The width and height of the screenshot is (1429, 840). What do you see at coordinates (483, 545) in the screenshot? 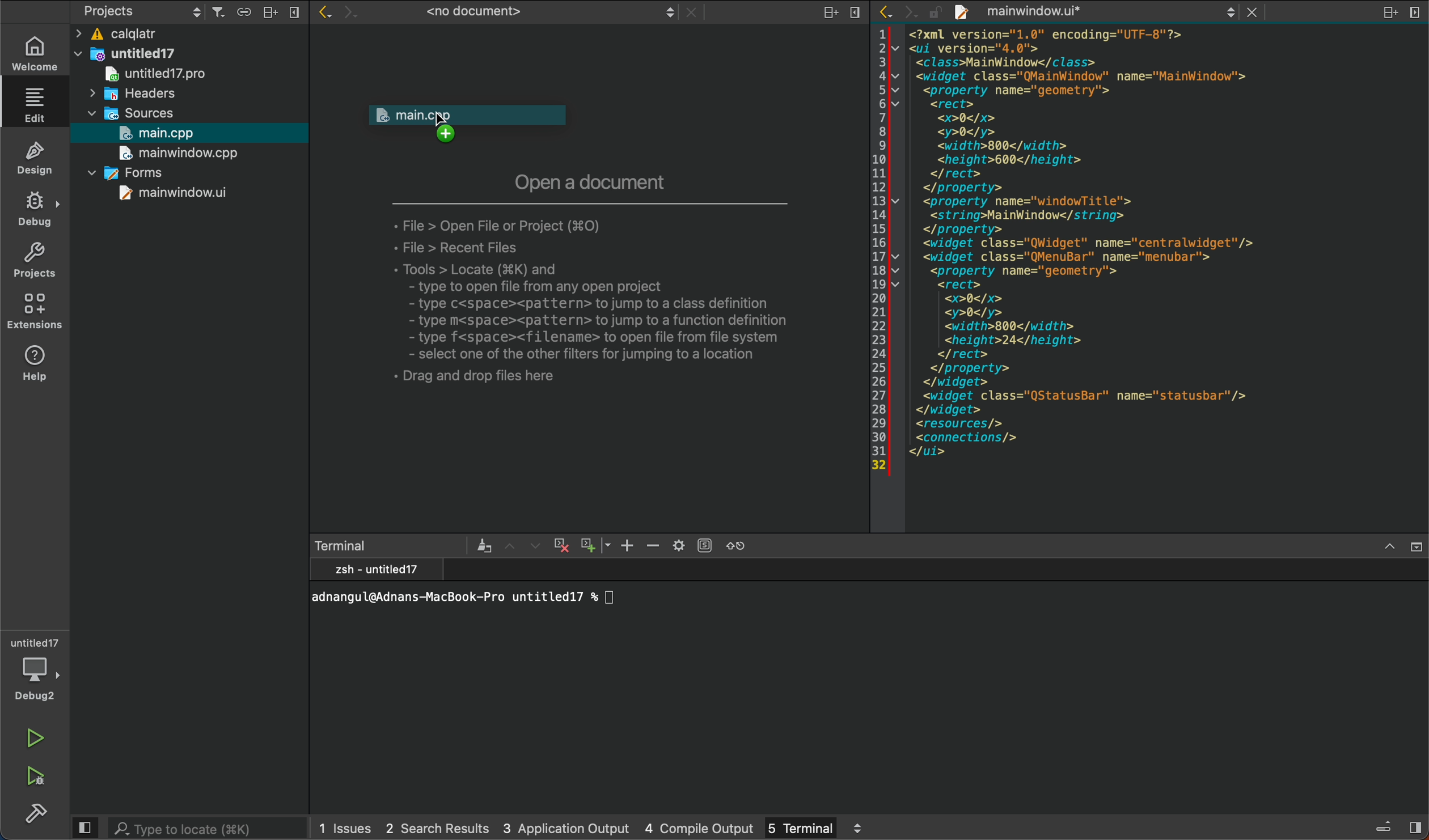
I see `clear` at bounding box center [483, 545].